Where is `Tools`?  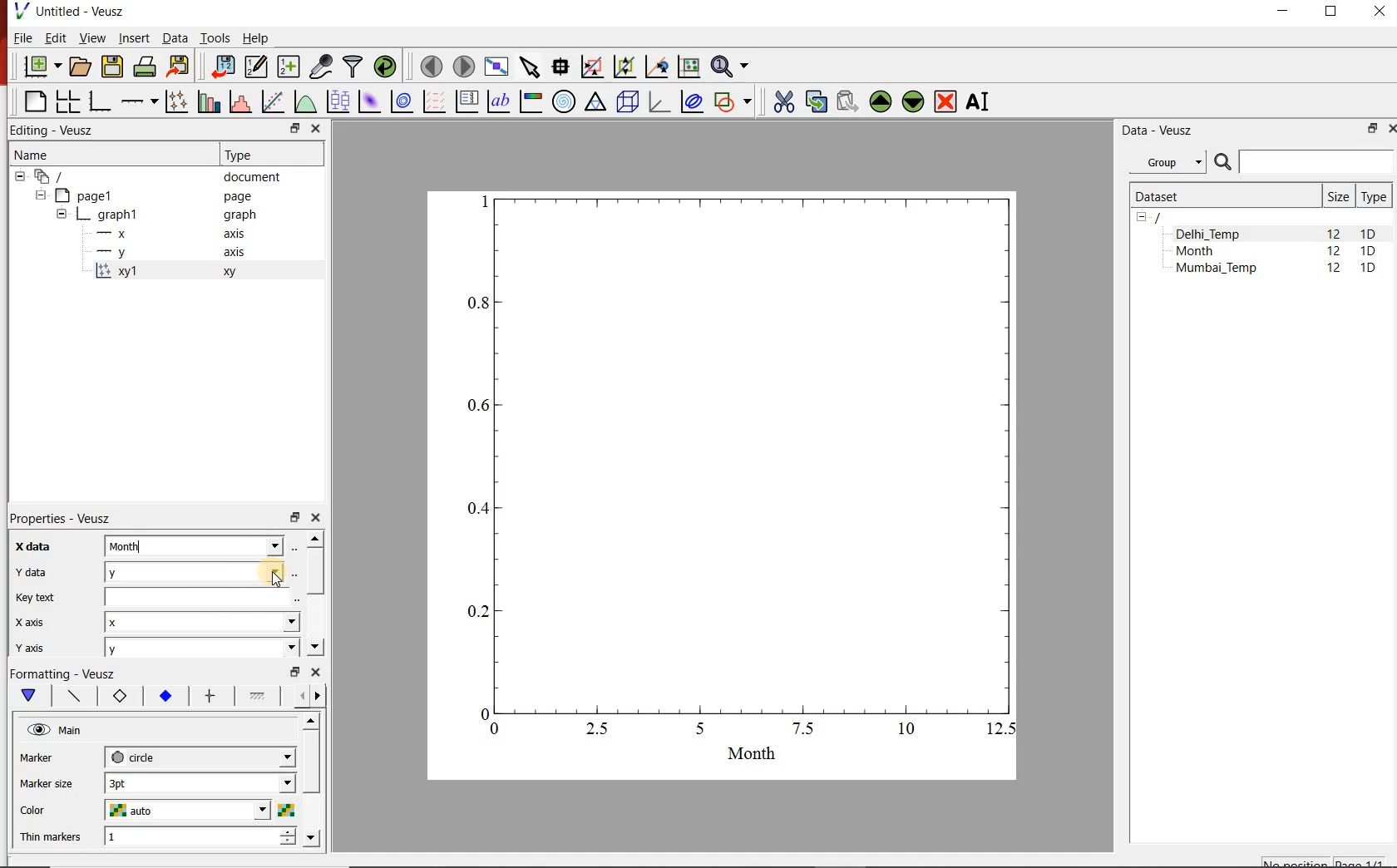 Tools is located at coordinates (216, 38).